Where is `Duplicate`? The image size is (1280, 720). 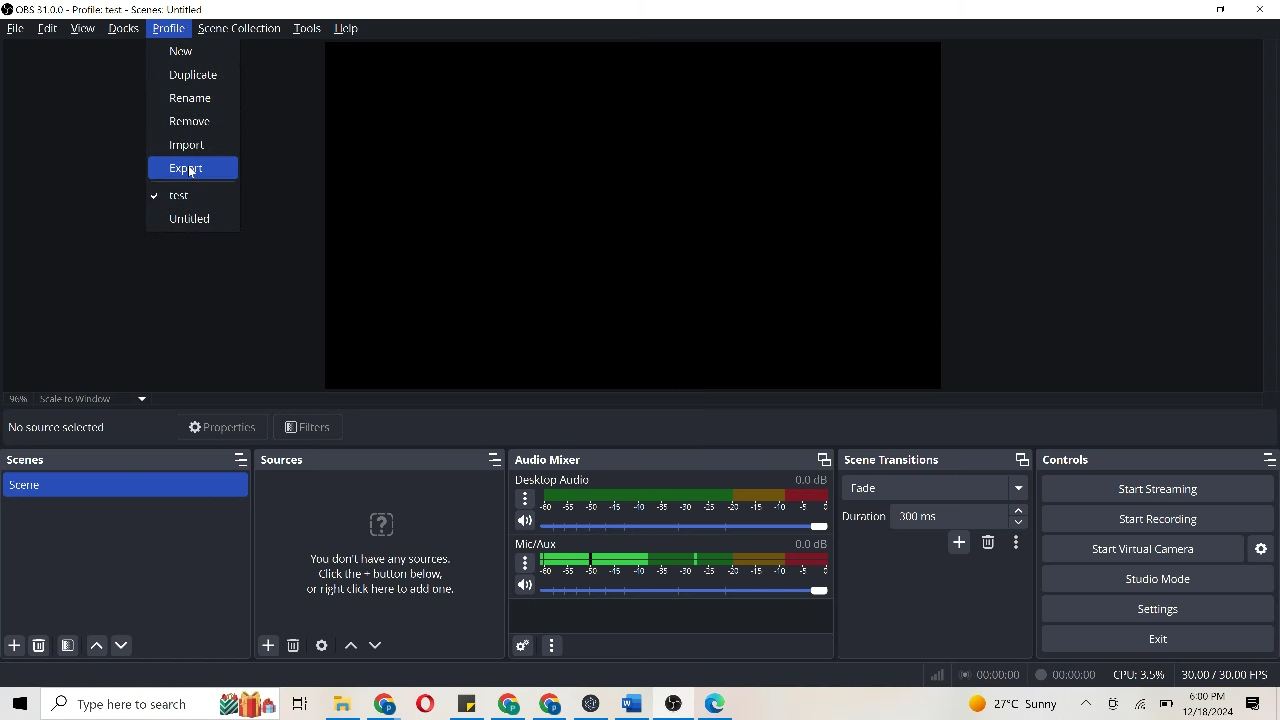 Duplicate is located at coordinates (194, 74).